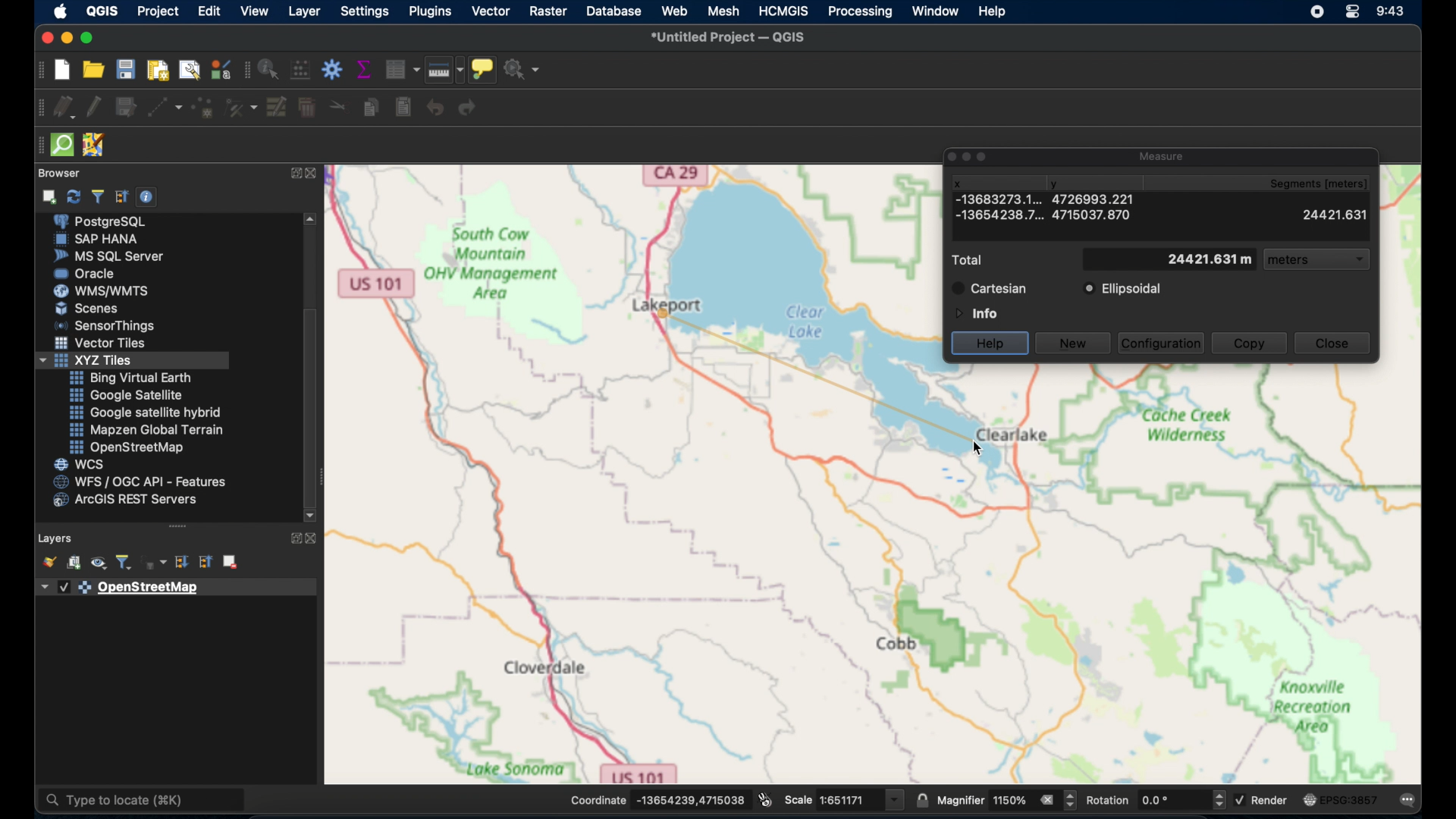 This screenshot has width=1456, height=819. Describe the element at coordinates (999, 456) in the screenshot. I see `cursor` at that location.